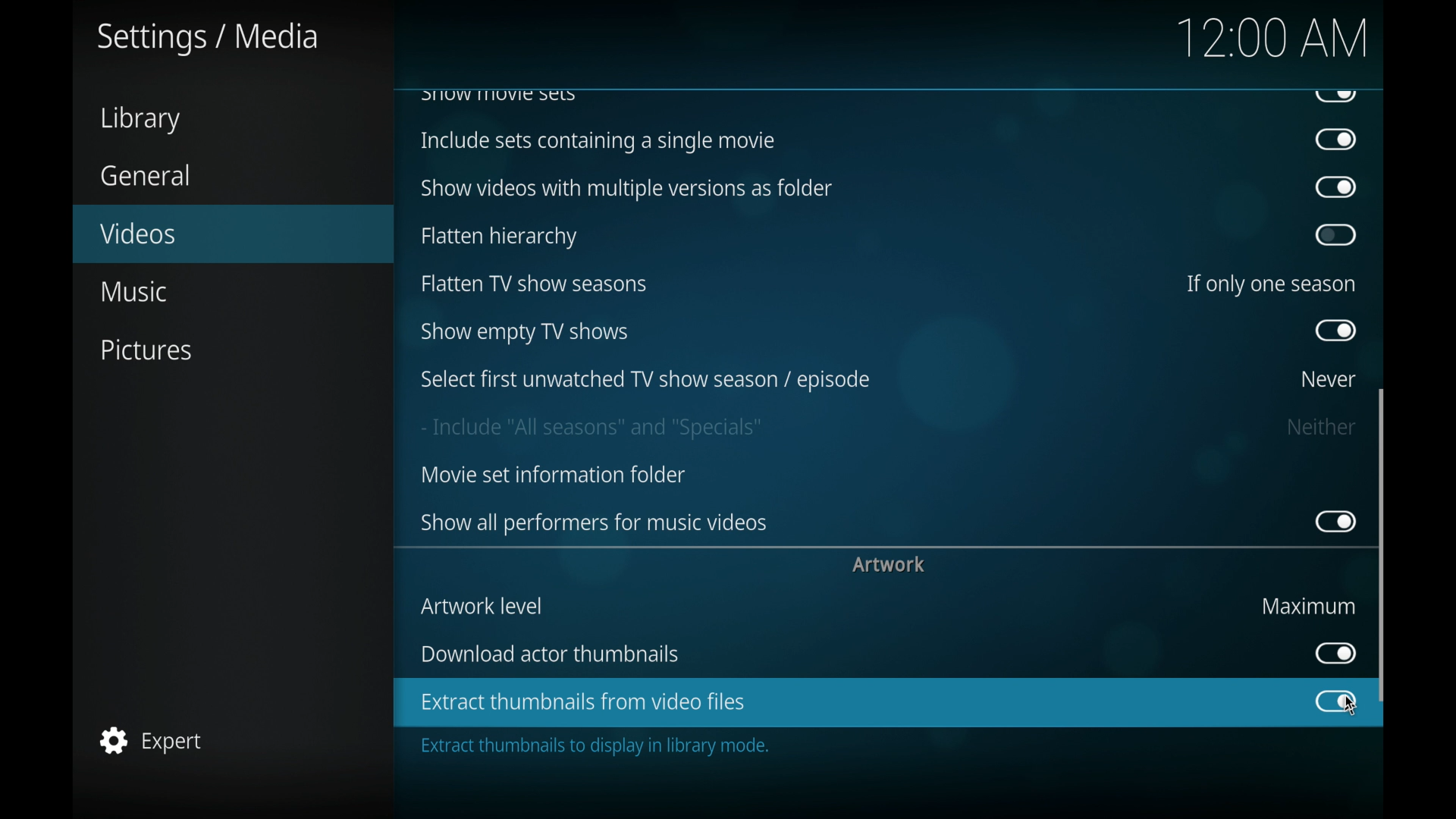 The height and width of the screenshot is (819, 1456). What do you see at coordinates (499, 96) in the screenshot?
I see `show movie sets` at bounding box center [499, 96].